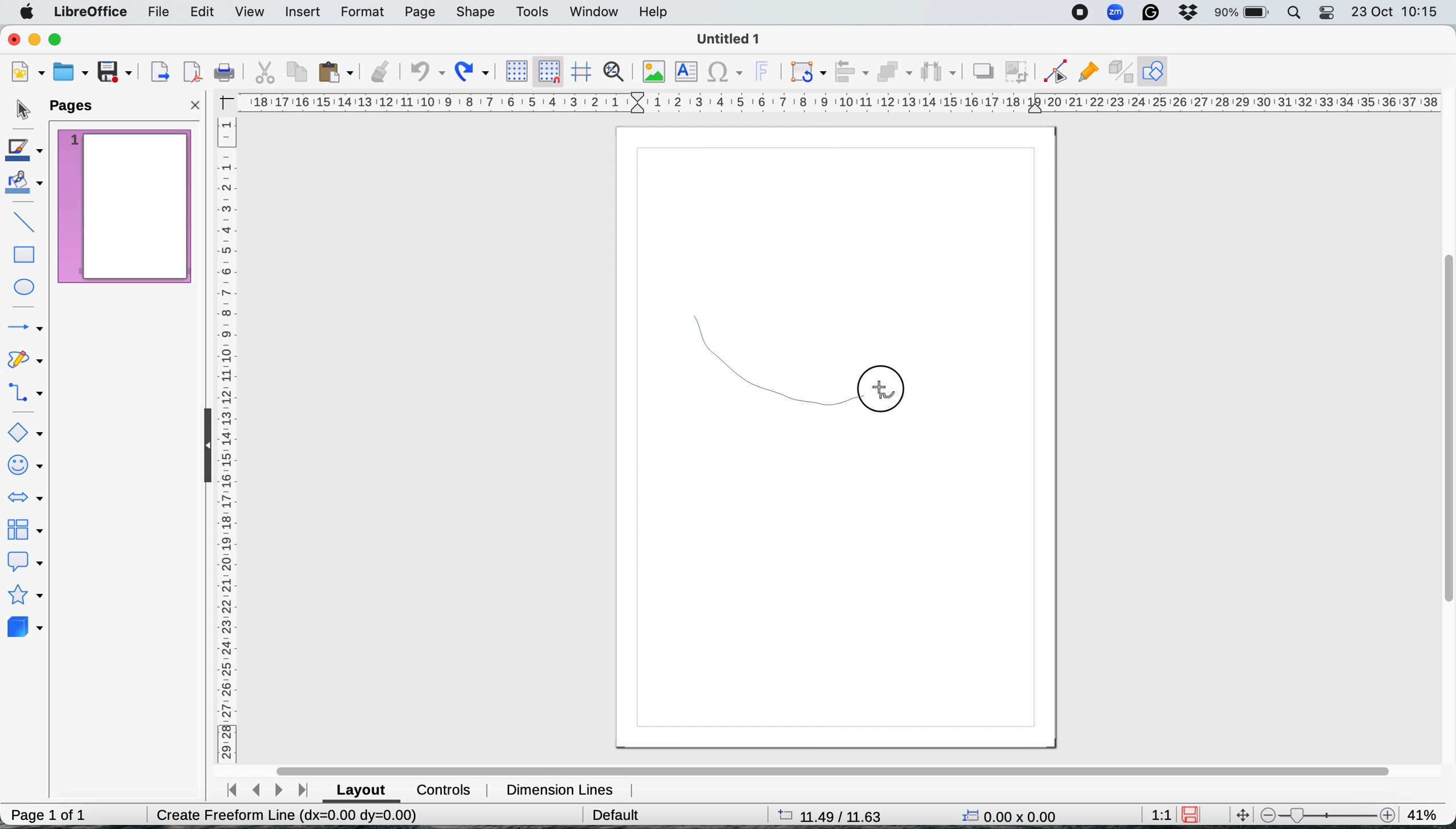 The height and width of the screenshot is (829, 1456). Describe the element at coordinates (1427, 812) in the screenshot. I see `zoom factor` at that location.